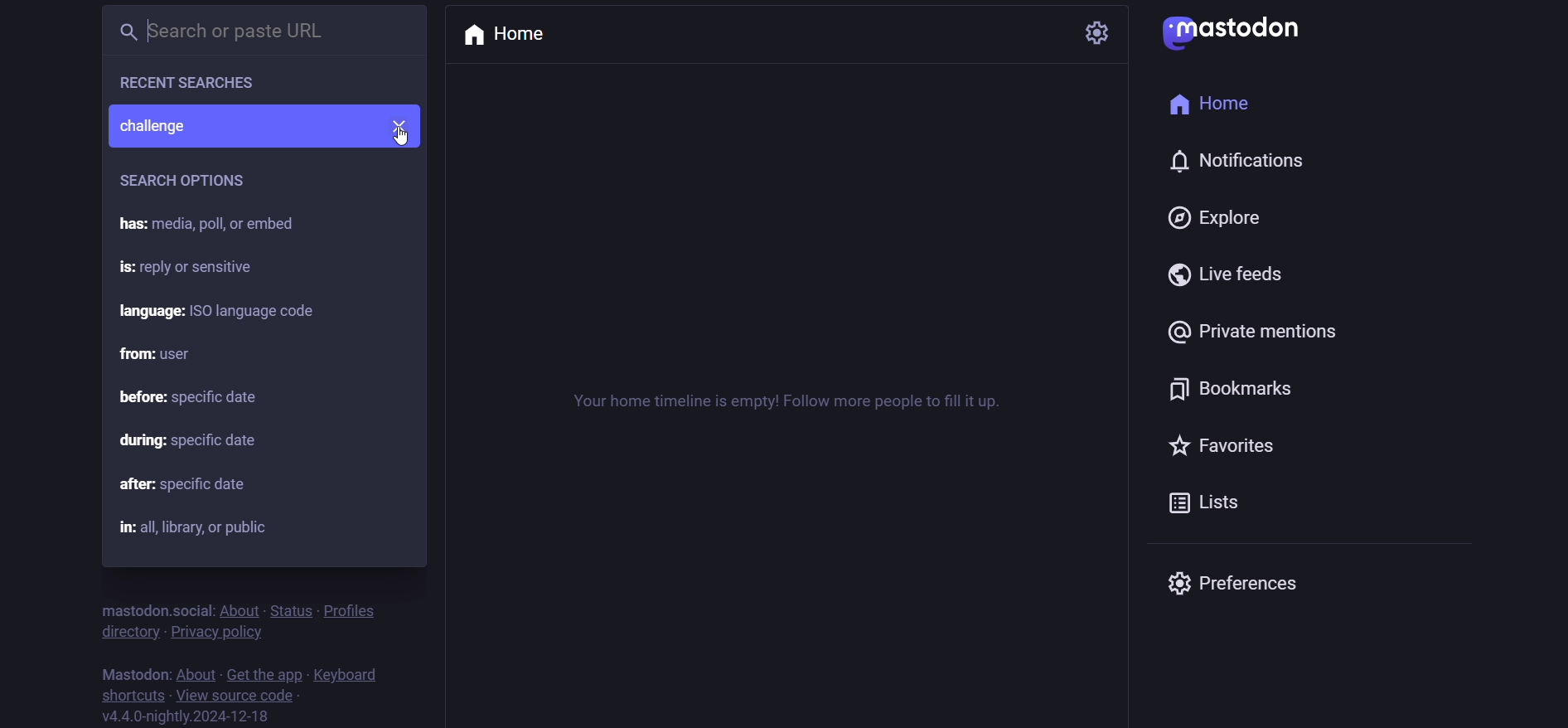  I want to click on preferences, so click(1230, 584).